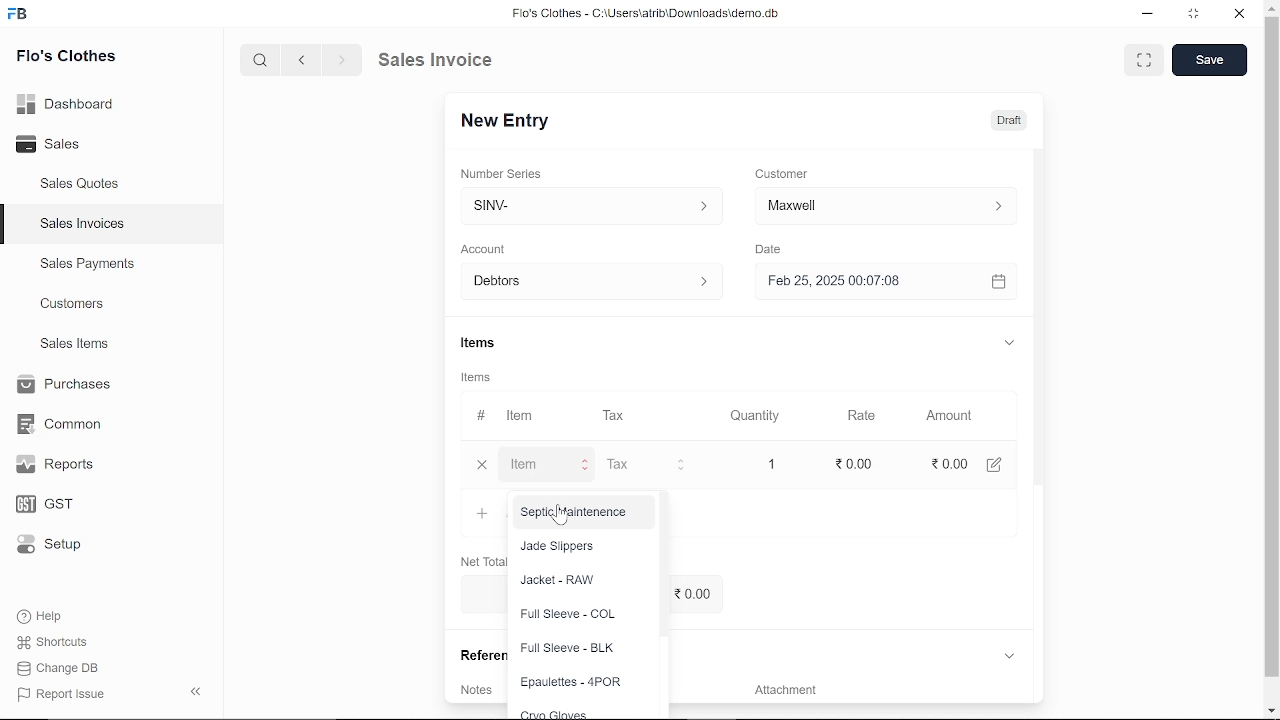  What do you see at coordinates (1150, 16) in the screenshot?
I see `minimize` at bounding box center [1150, 16].